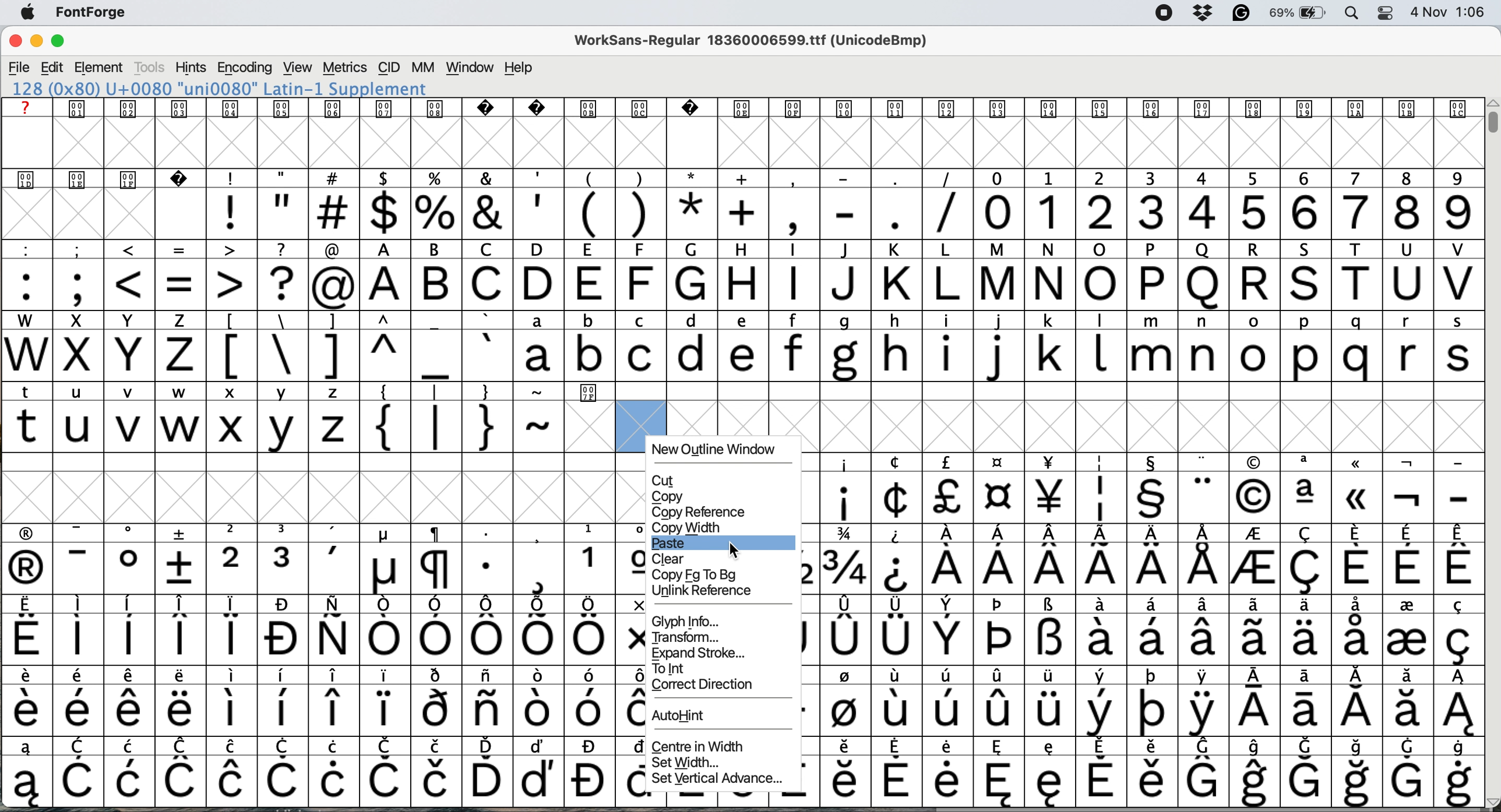 The image size is (1501, 812). What do you see at coordinates (100, 357) in the screenshot?
I see `capital letters w to z` at bounding box center [100, 357].